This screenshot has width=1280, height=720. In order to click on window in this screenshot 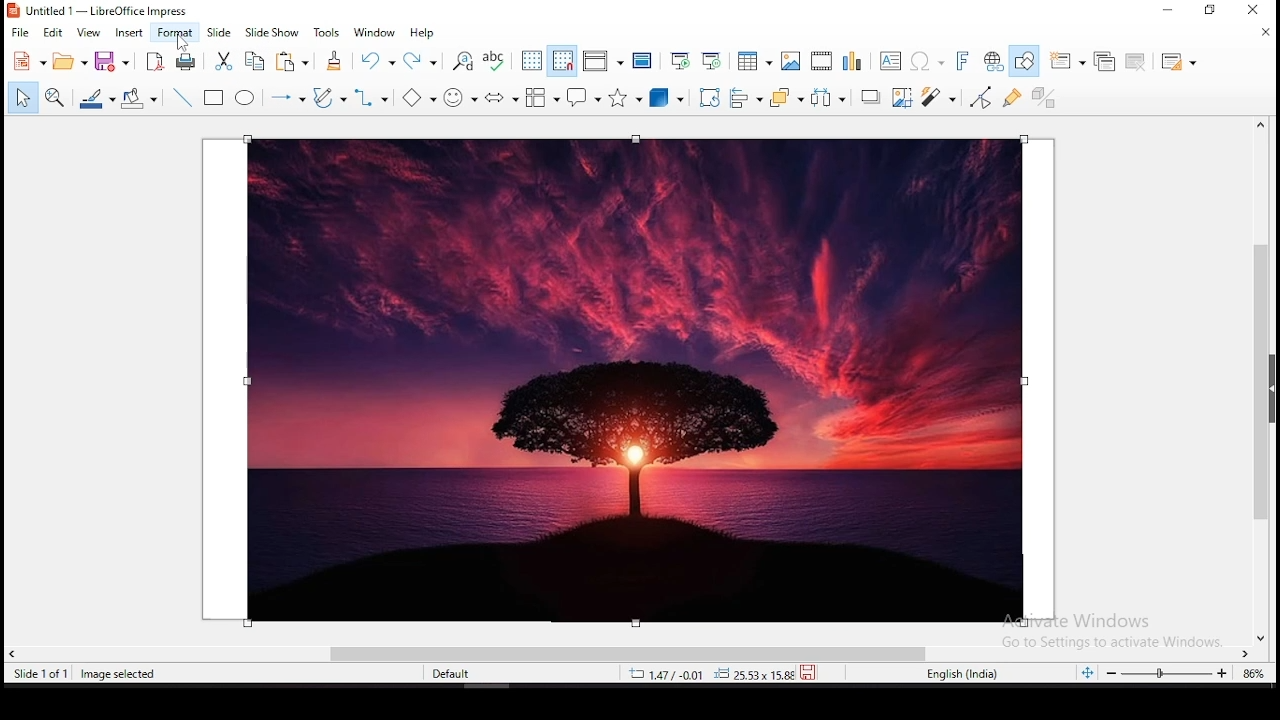, I will do `click(377, 32)`.